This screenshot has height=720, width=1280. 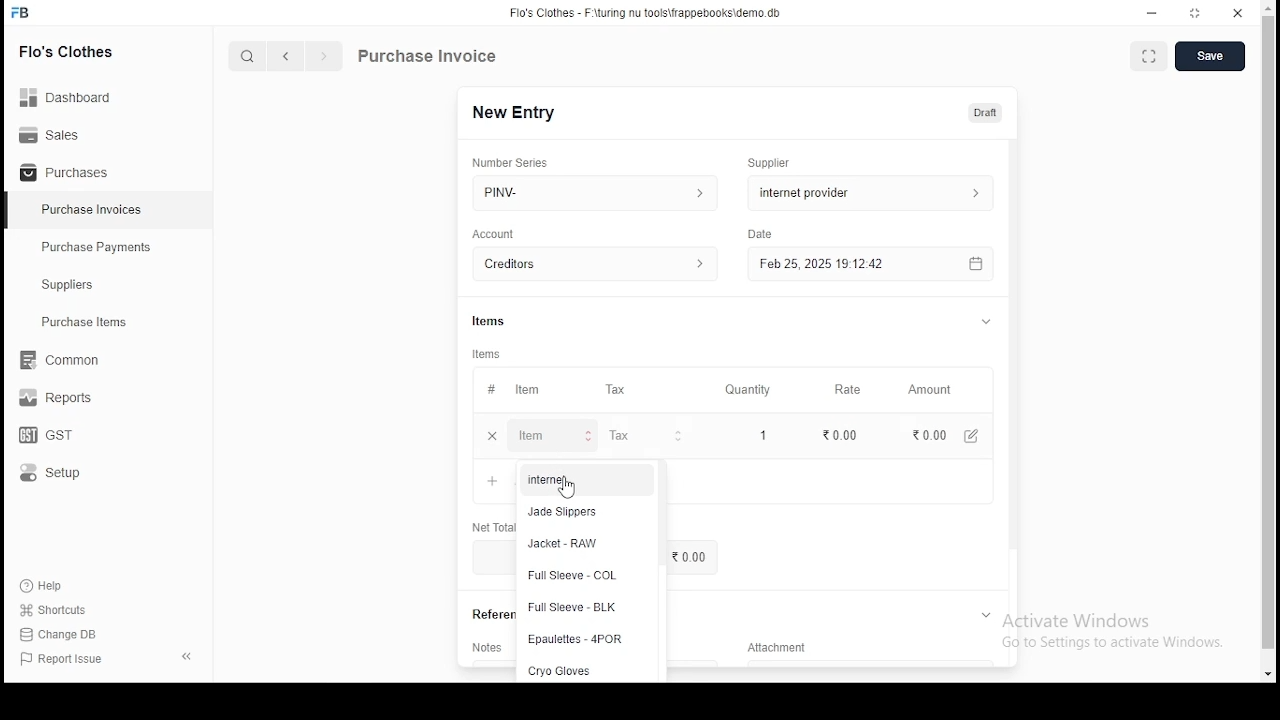 I want to click on minimize, so click(x=1155, y=14).